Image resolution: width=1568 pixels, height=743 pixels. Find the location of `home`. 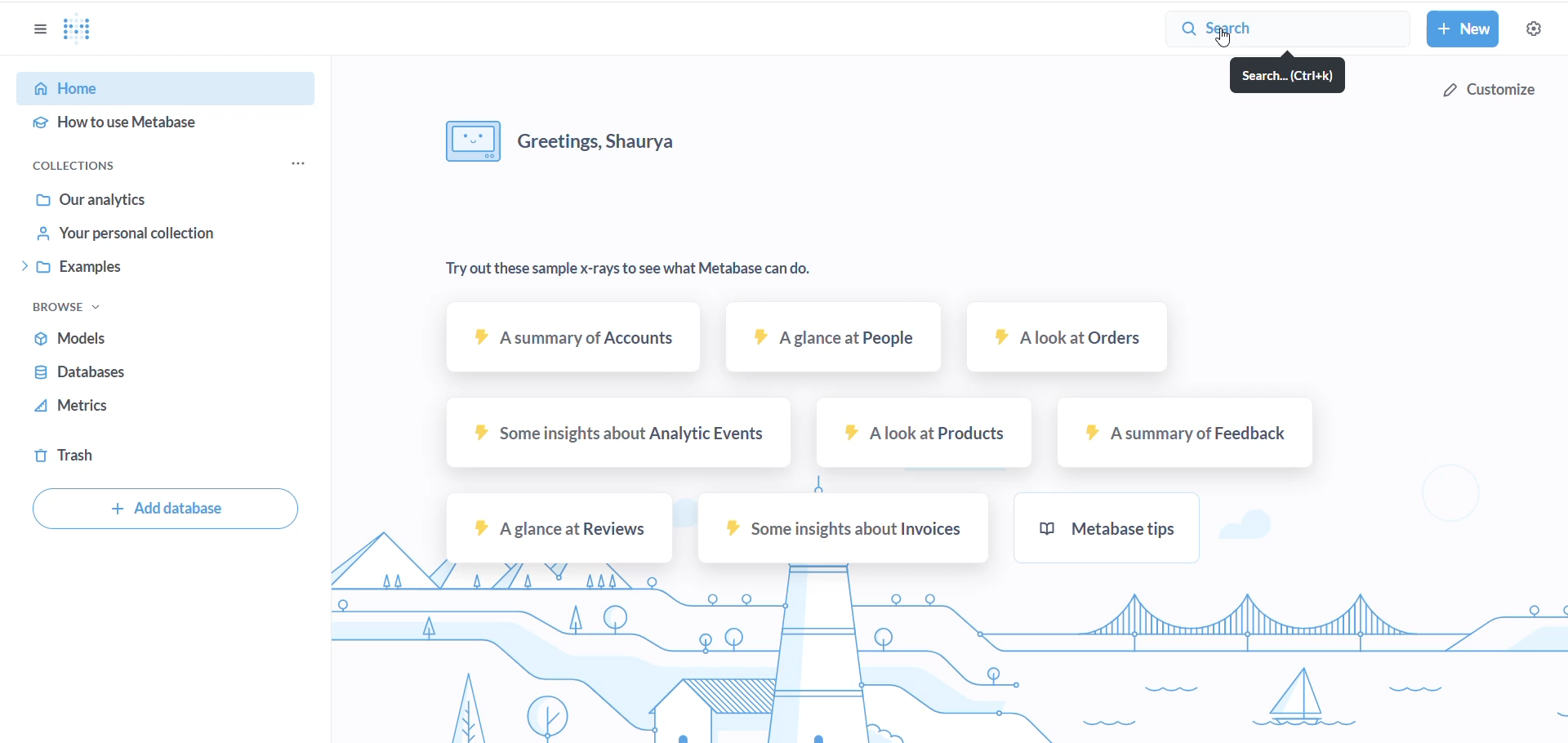

home is located at coordinates (153, 86).